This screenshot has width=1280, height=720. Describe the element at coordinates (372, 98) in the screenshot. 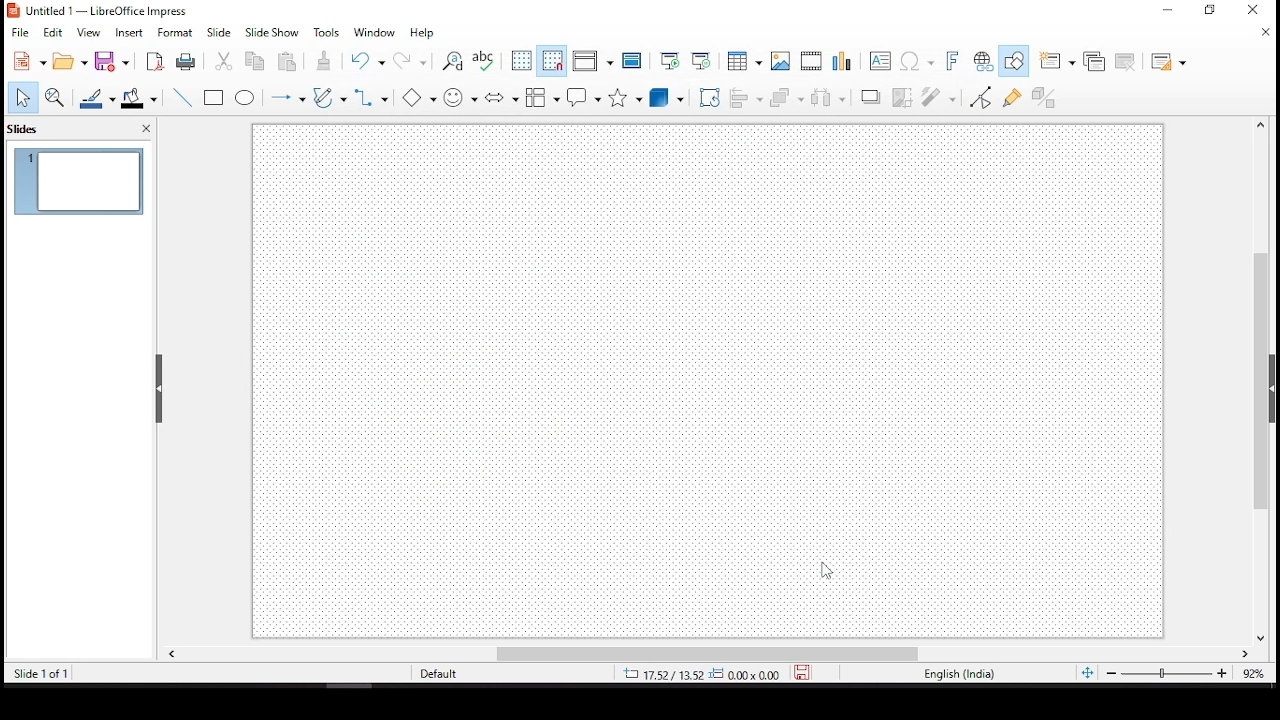

I see `connectors` at that location.